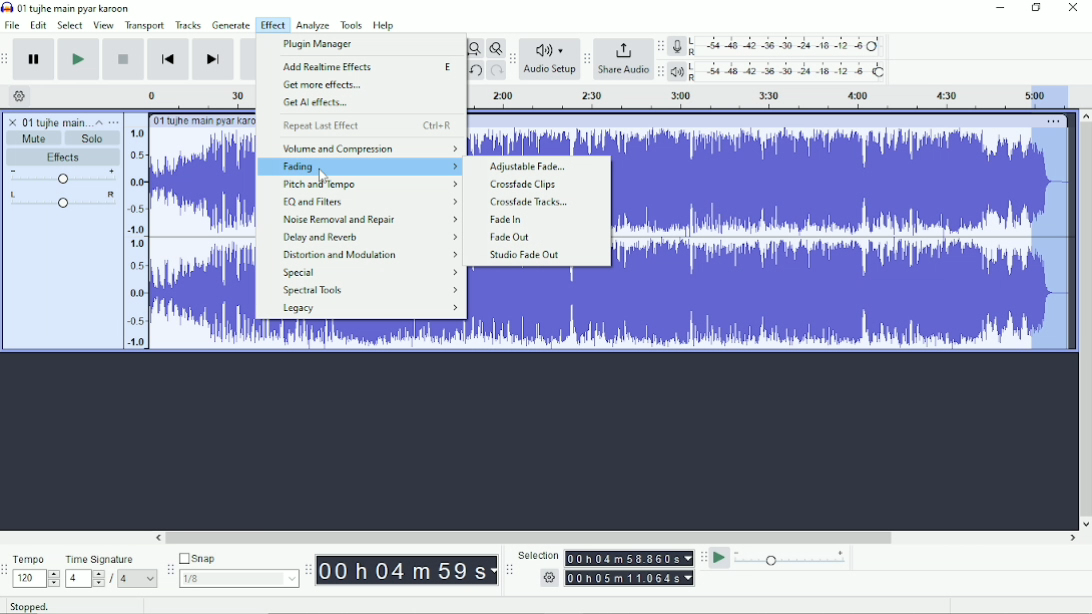  What do you see at coordinates (122, 59) in the screenshot?
I see `Stop` at bounding box center [122, 59].